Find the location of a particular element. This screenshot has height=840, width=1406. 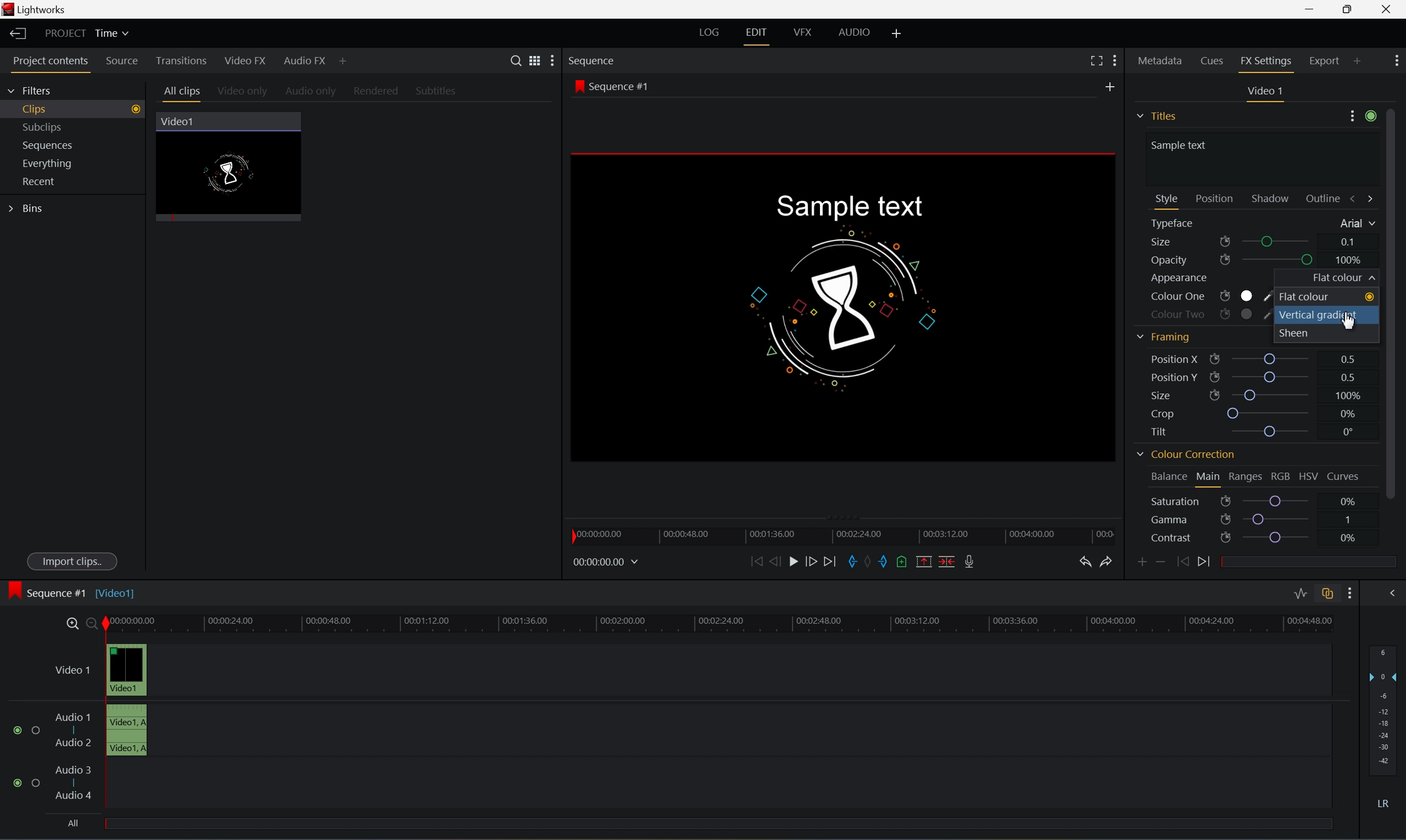

0.1 is located at coordinates (1349, 242).